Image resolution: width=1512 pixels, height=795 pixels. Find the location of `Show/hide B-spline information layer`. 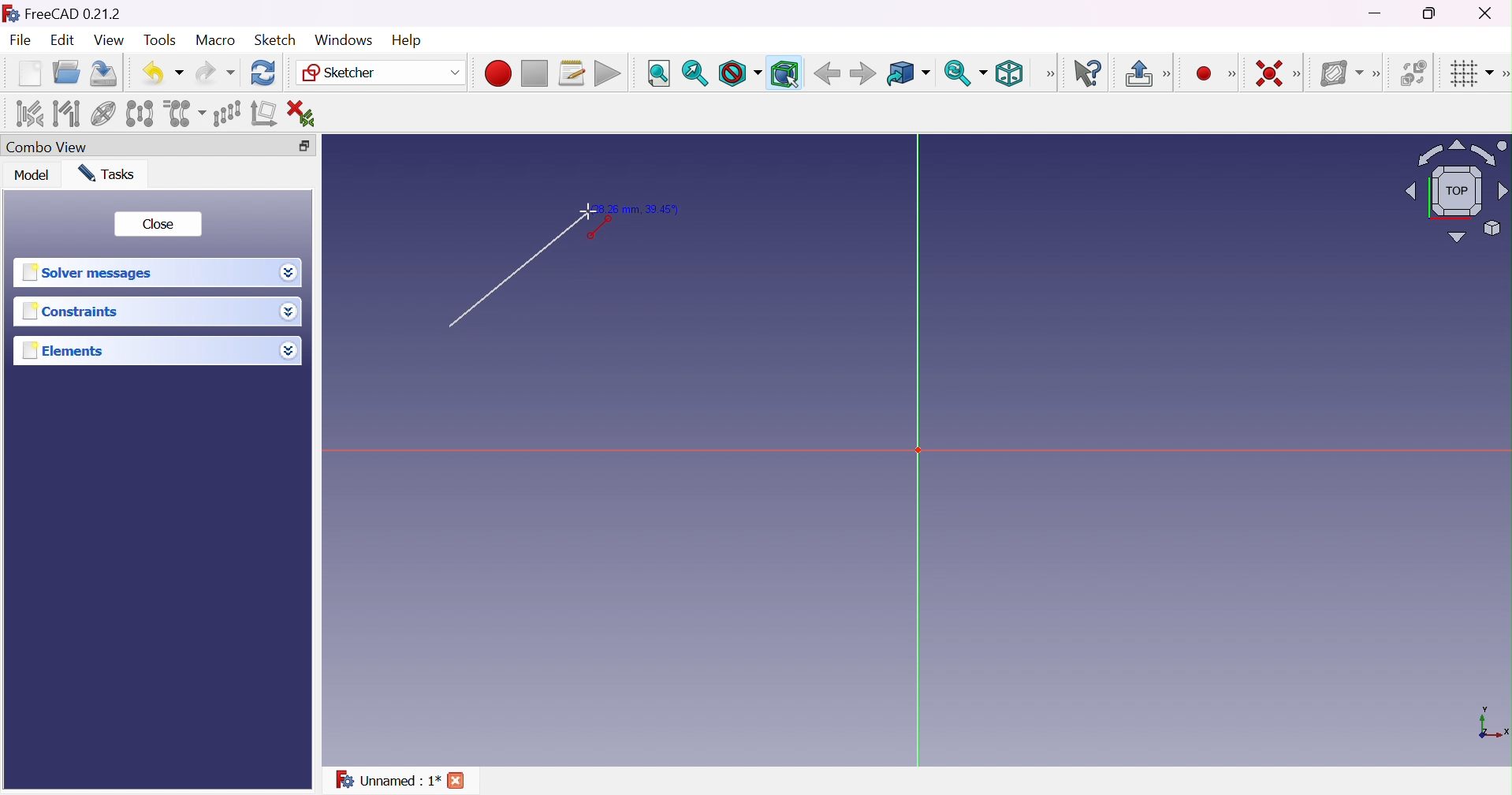

Show/hide B-spline information layer is located at coordinates (1343, 73).